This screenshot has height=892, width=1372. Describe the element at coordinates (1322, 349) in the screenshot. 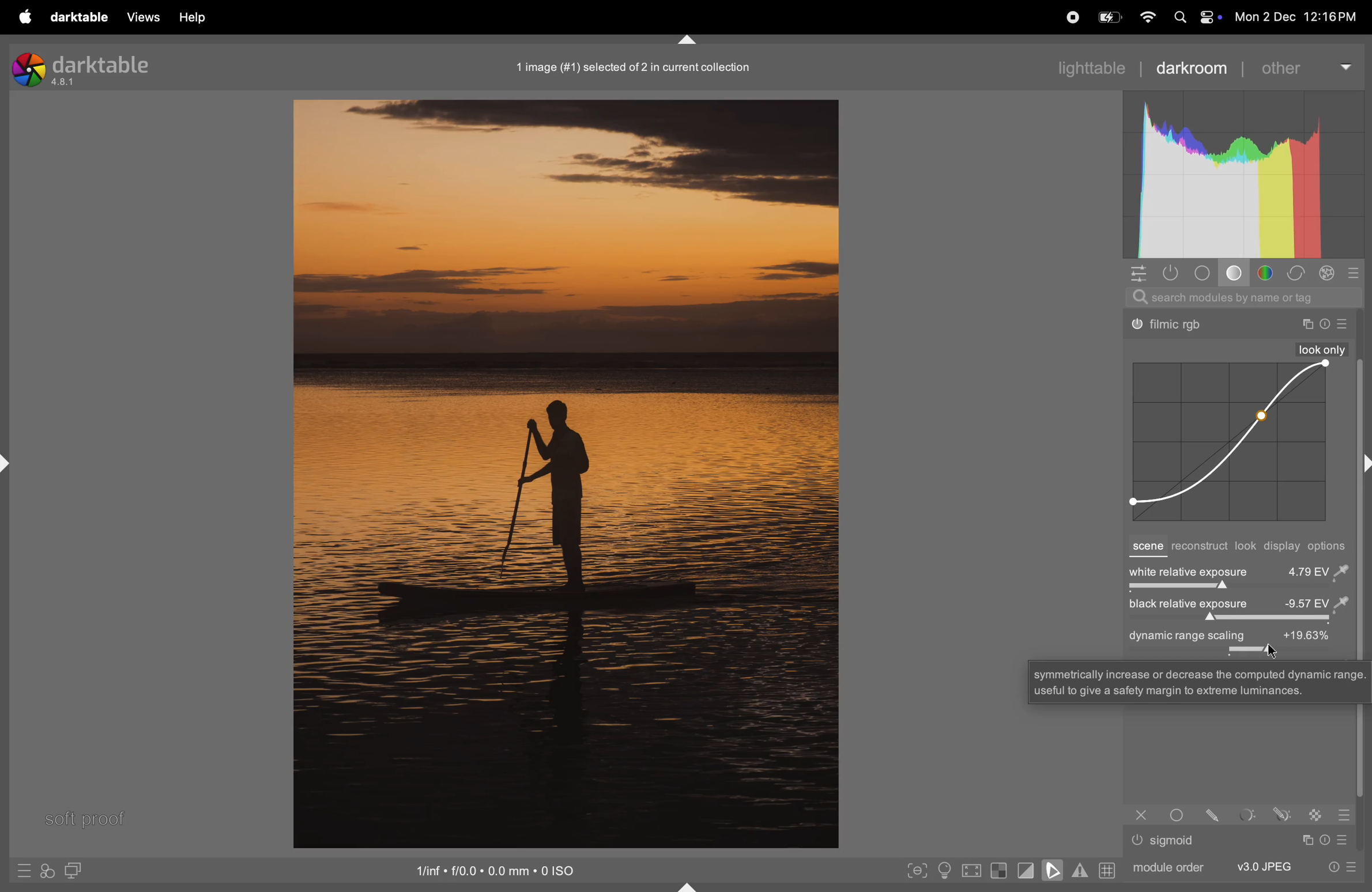

I see `` at that location.